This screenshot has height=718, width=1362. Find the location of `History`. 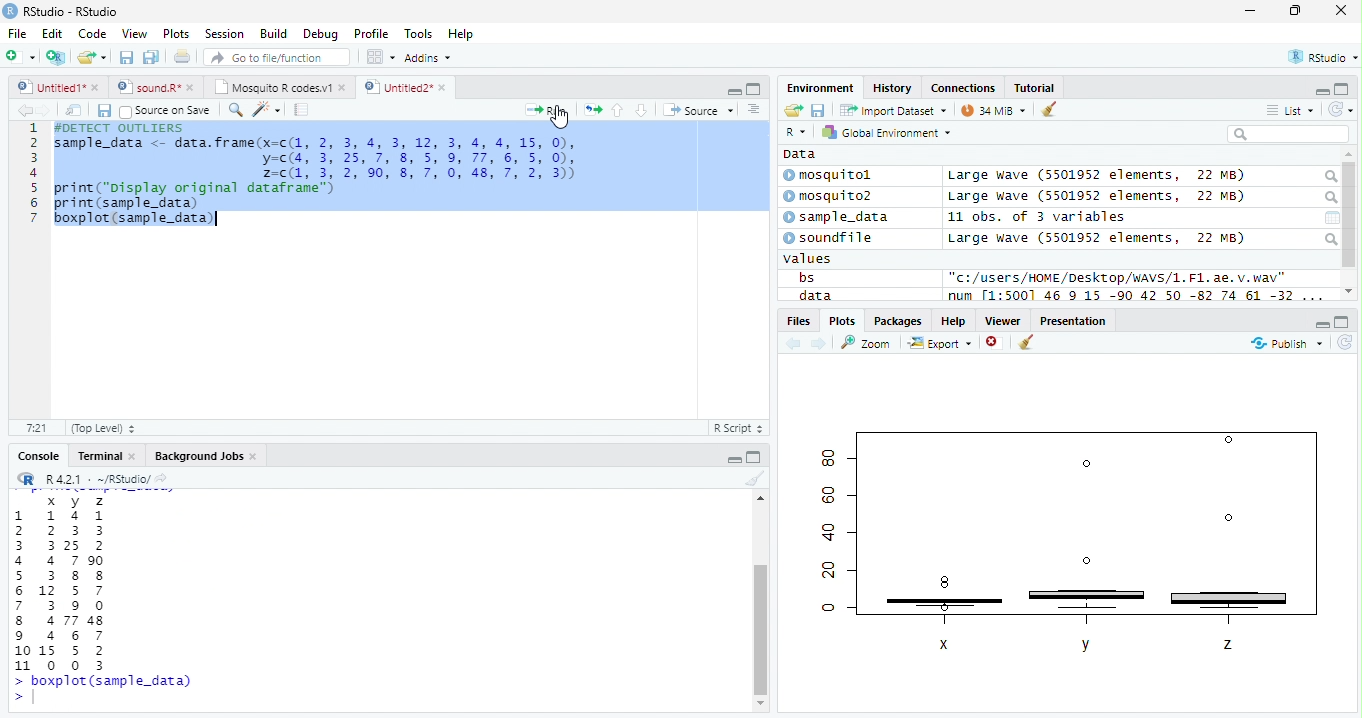

History is located at coordinates (892, 88).